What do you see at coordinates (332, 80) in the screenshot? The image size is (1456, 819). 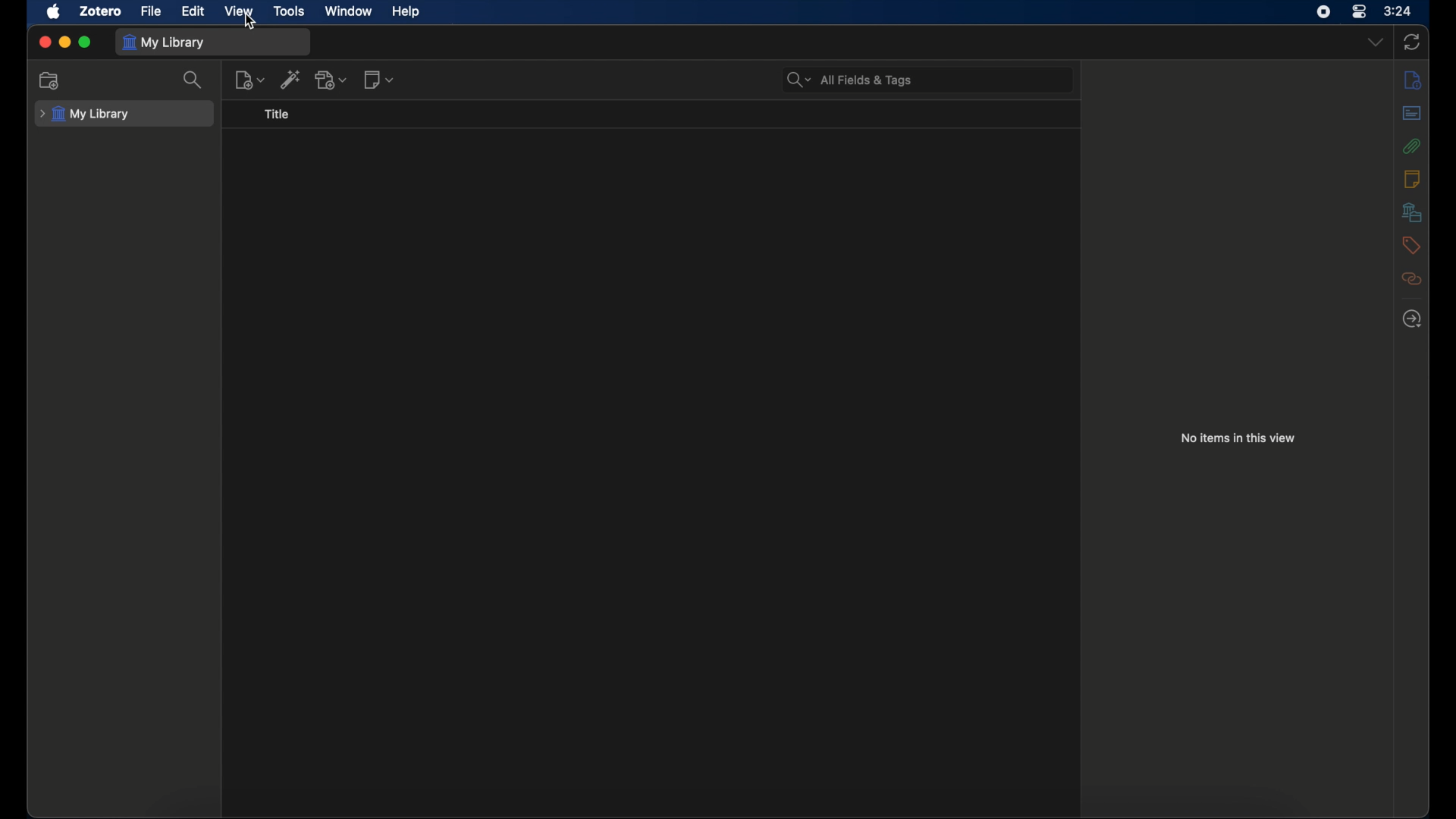 I see `add attachments` at bounding box center [332, 80].